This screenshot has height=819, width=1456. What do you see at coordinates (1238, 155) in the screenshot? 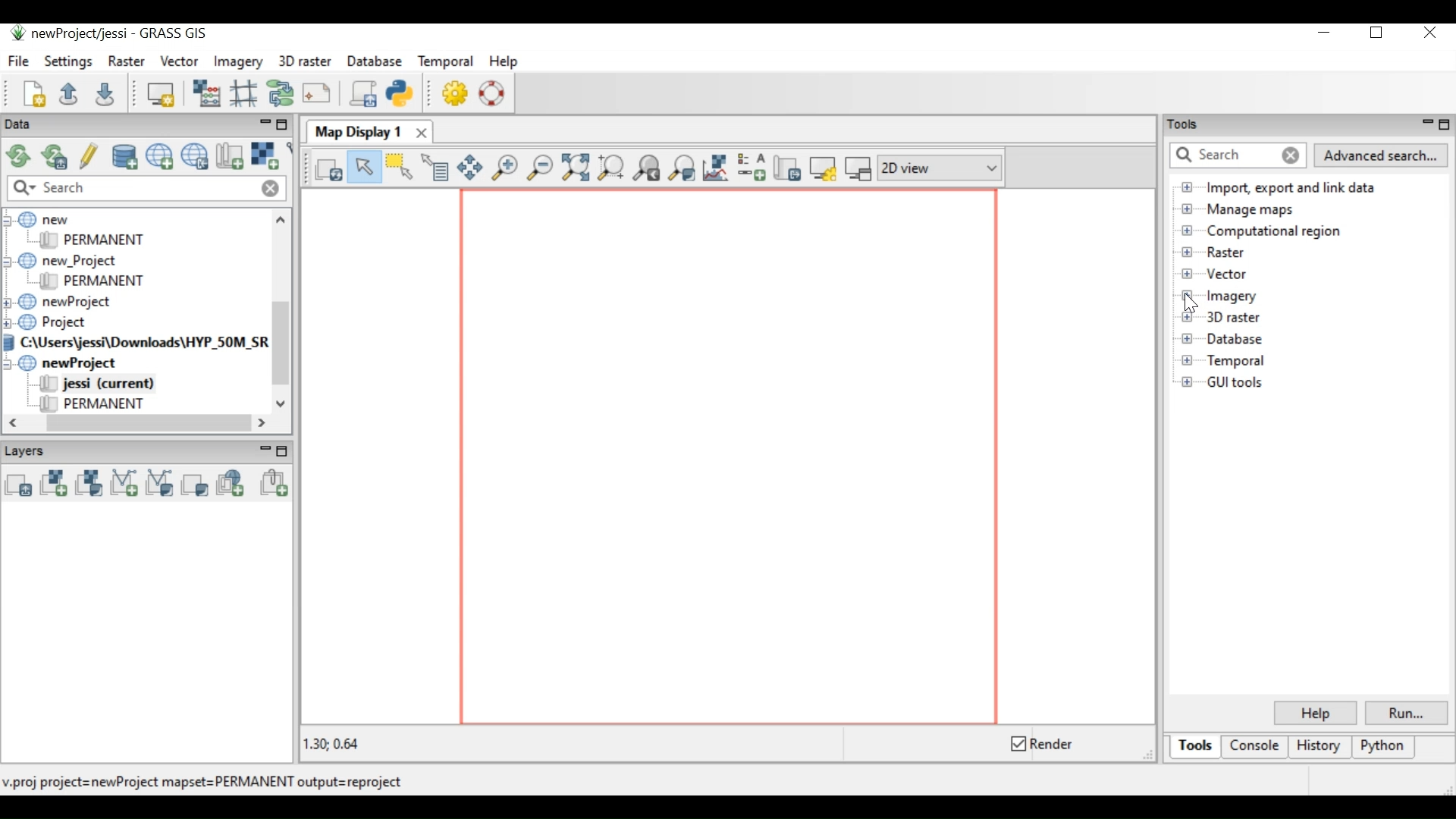
I see `Search tab` at bounding box center [1238, 155].